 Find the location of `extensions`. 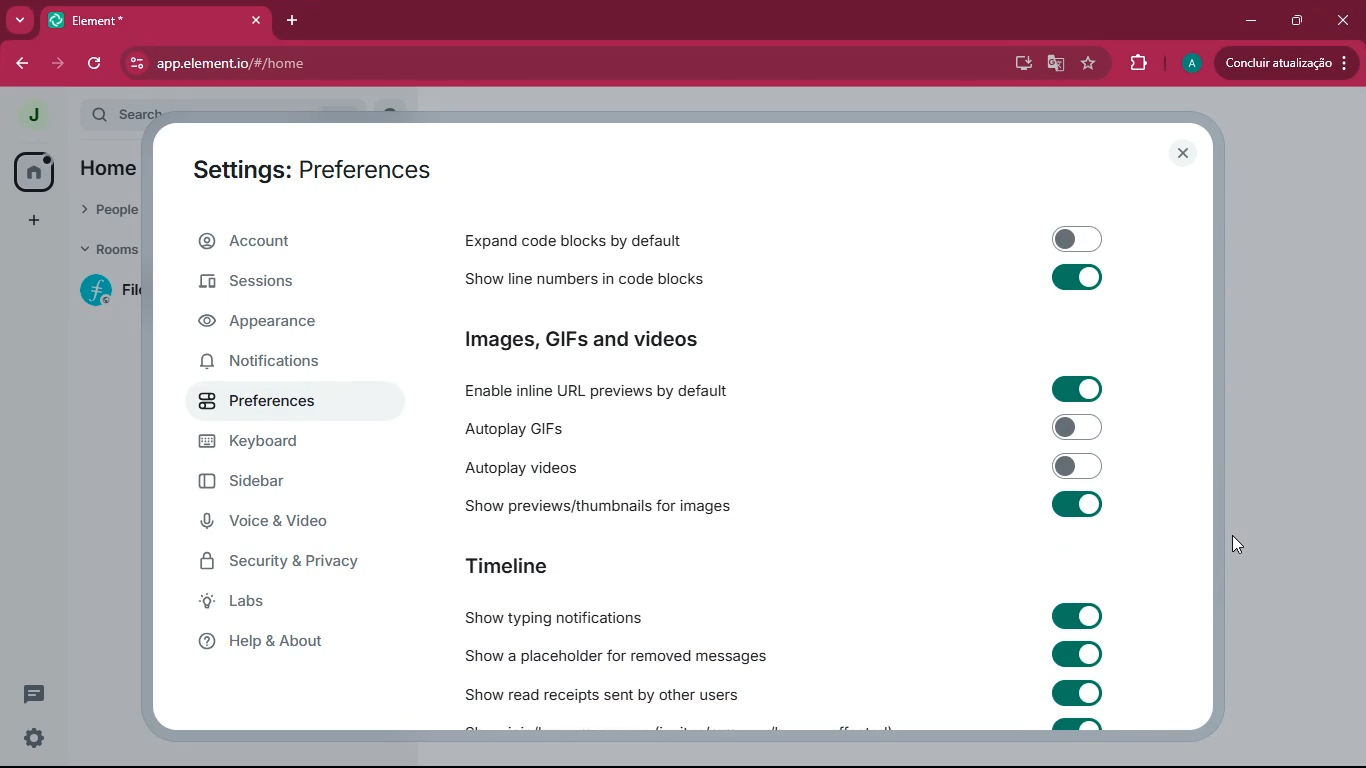

extensions is located at coordinates (1139, 63).